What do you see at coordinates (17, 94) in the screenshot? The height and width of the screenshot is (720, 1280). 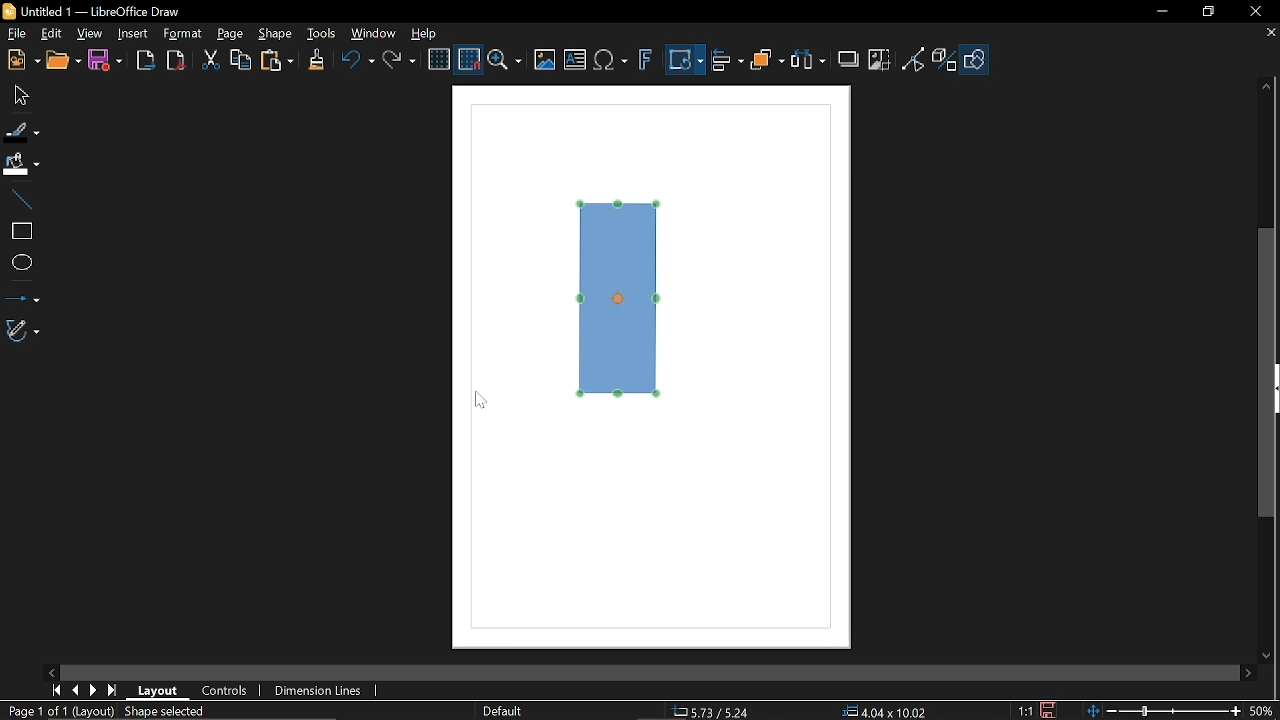 I see `Move` at bounding box center [17, 94].